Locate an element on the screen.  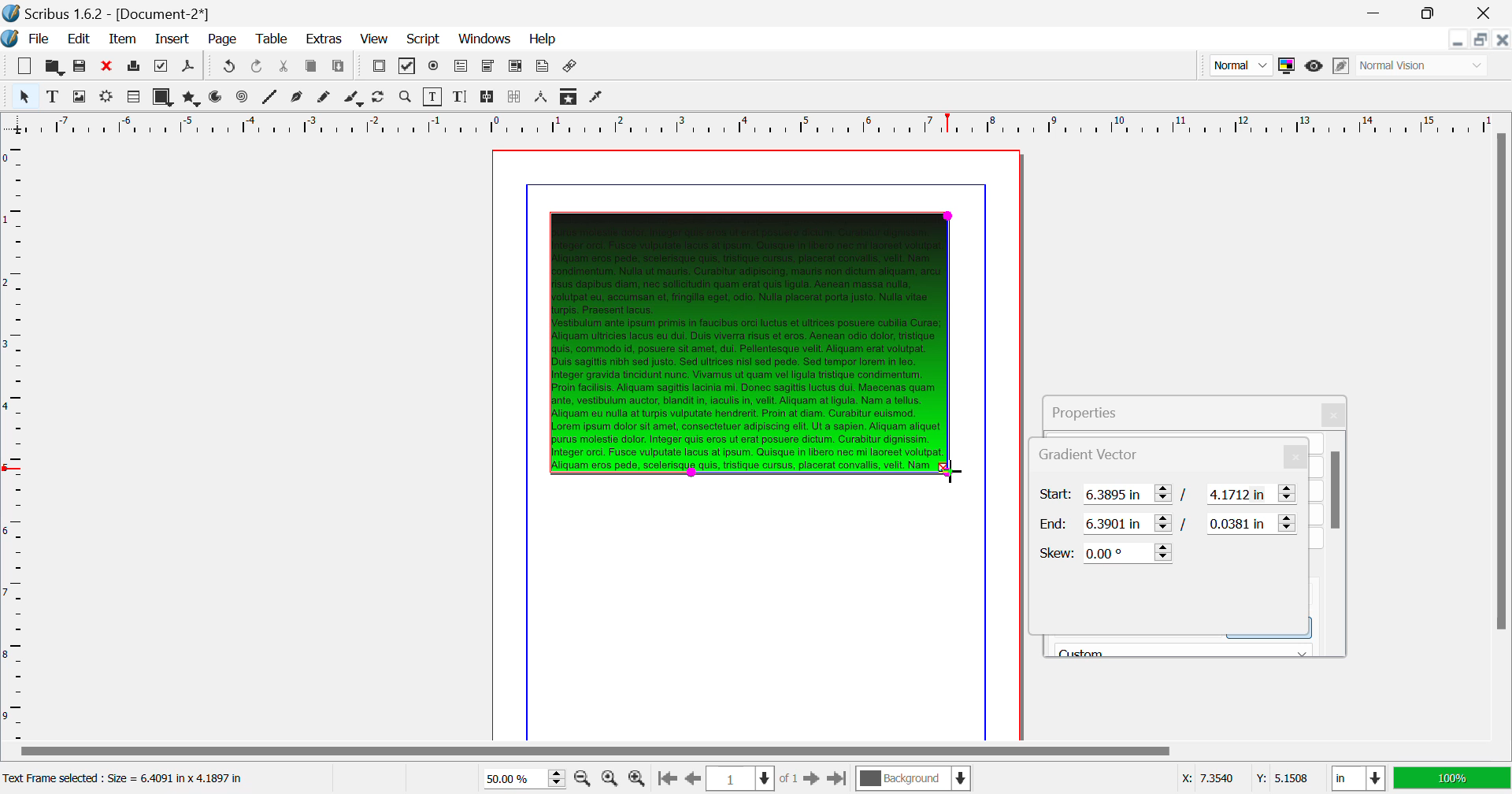
Background is located at coordinates (913, 780).